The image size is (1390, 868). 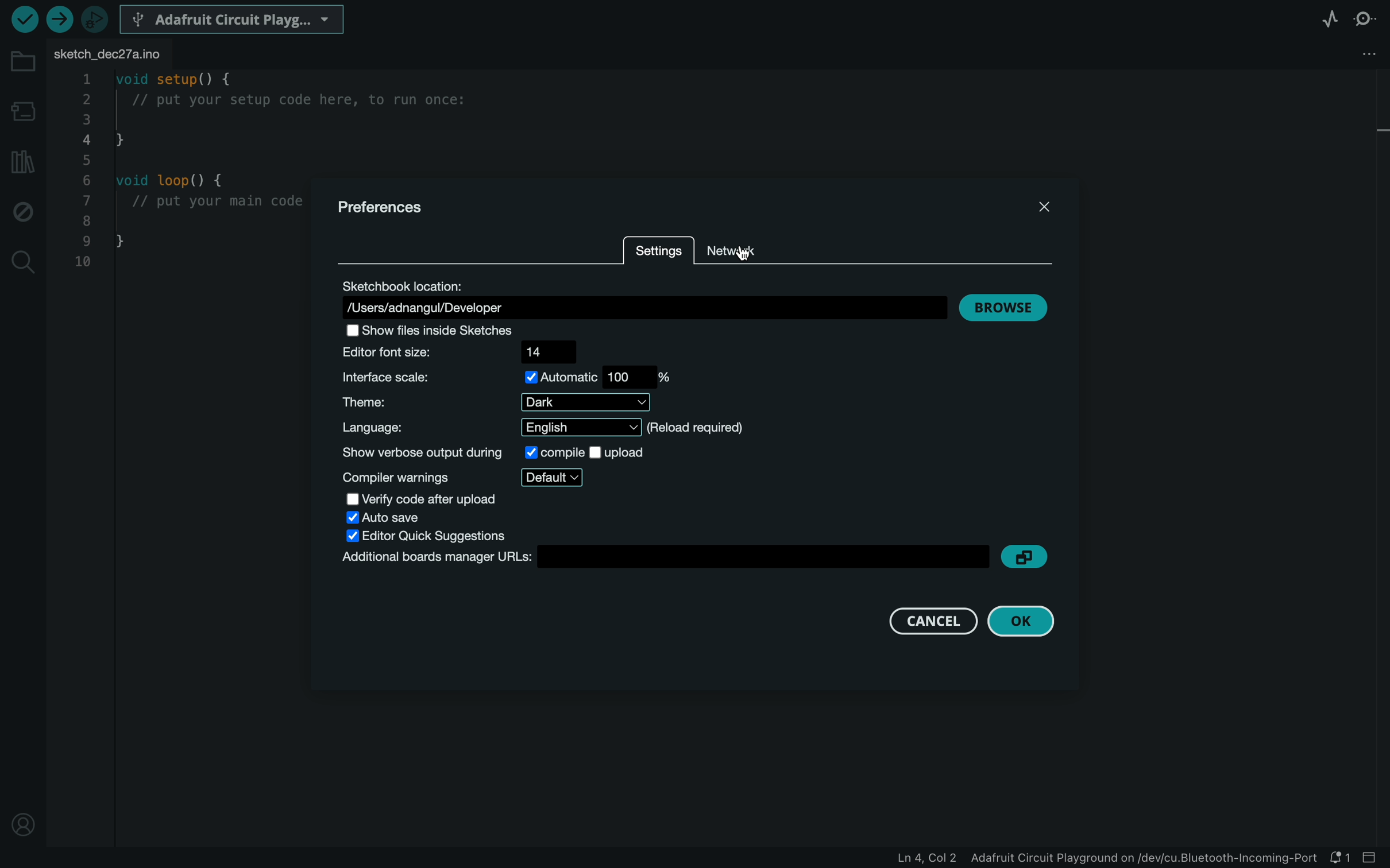 I want to click on ok, so click(x=1025, y=621).